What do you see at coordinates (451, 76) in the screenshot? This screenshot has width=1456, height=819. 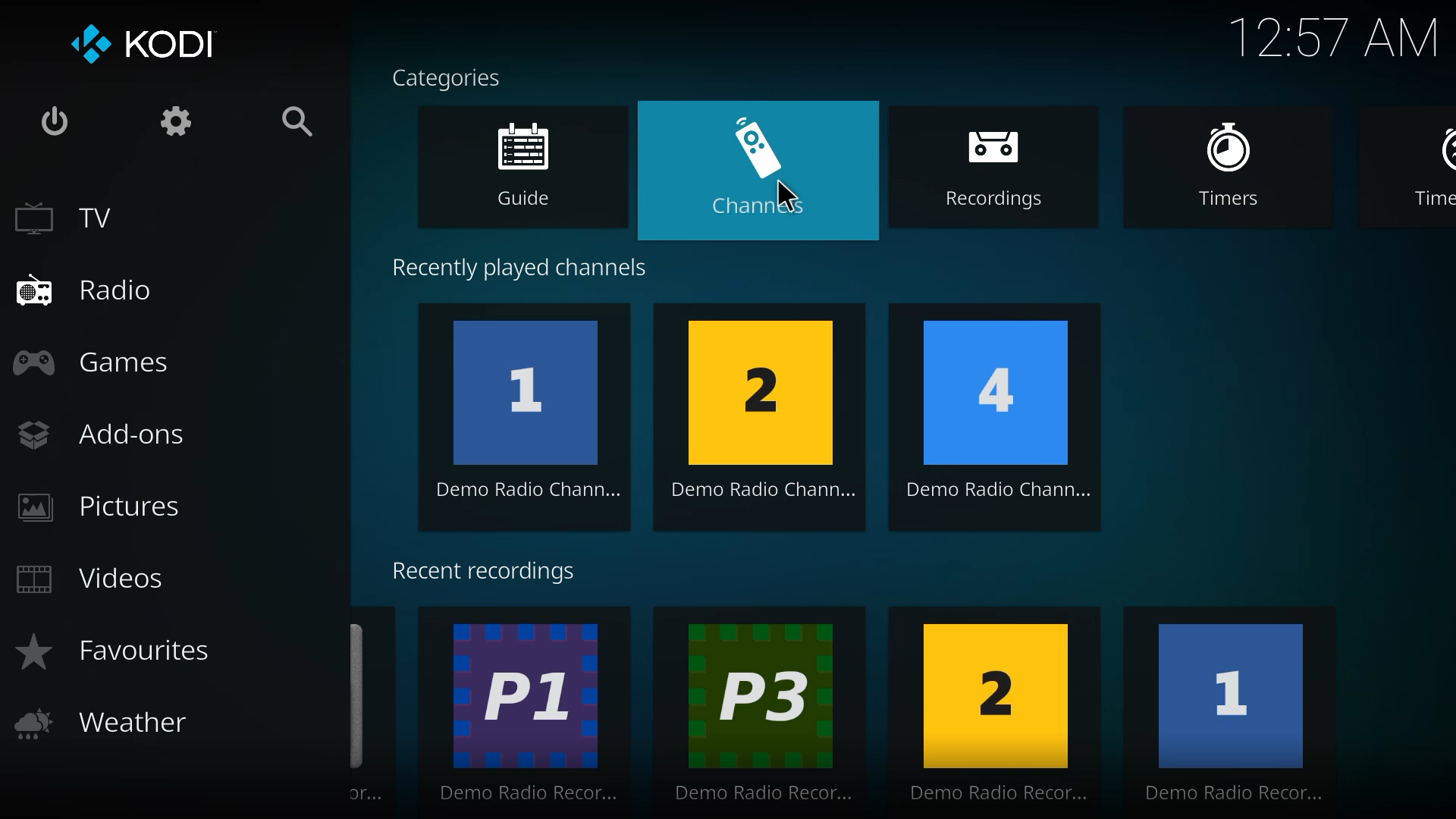 I see `categories` at bounding box center [451, 76].